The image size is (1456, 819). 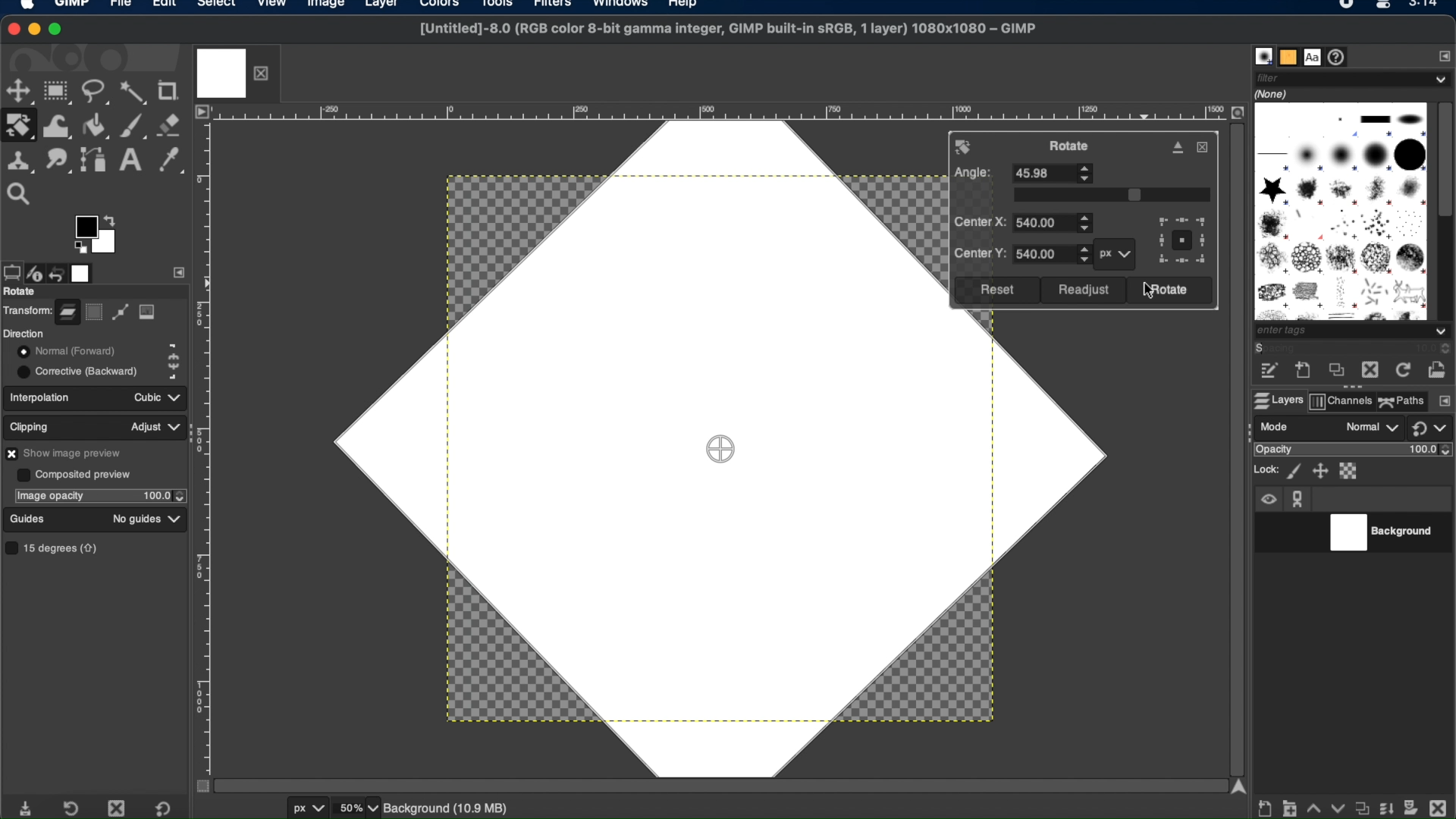 What do you see at coordinates (96, 93) in the screenshot?
I see `free select tool` at bounding box center [96, 93].